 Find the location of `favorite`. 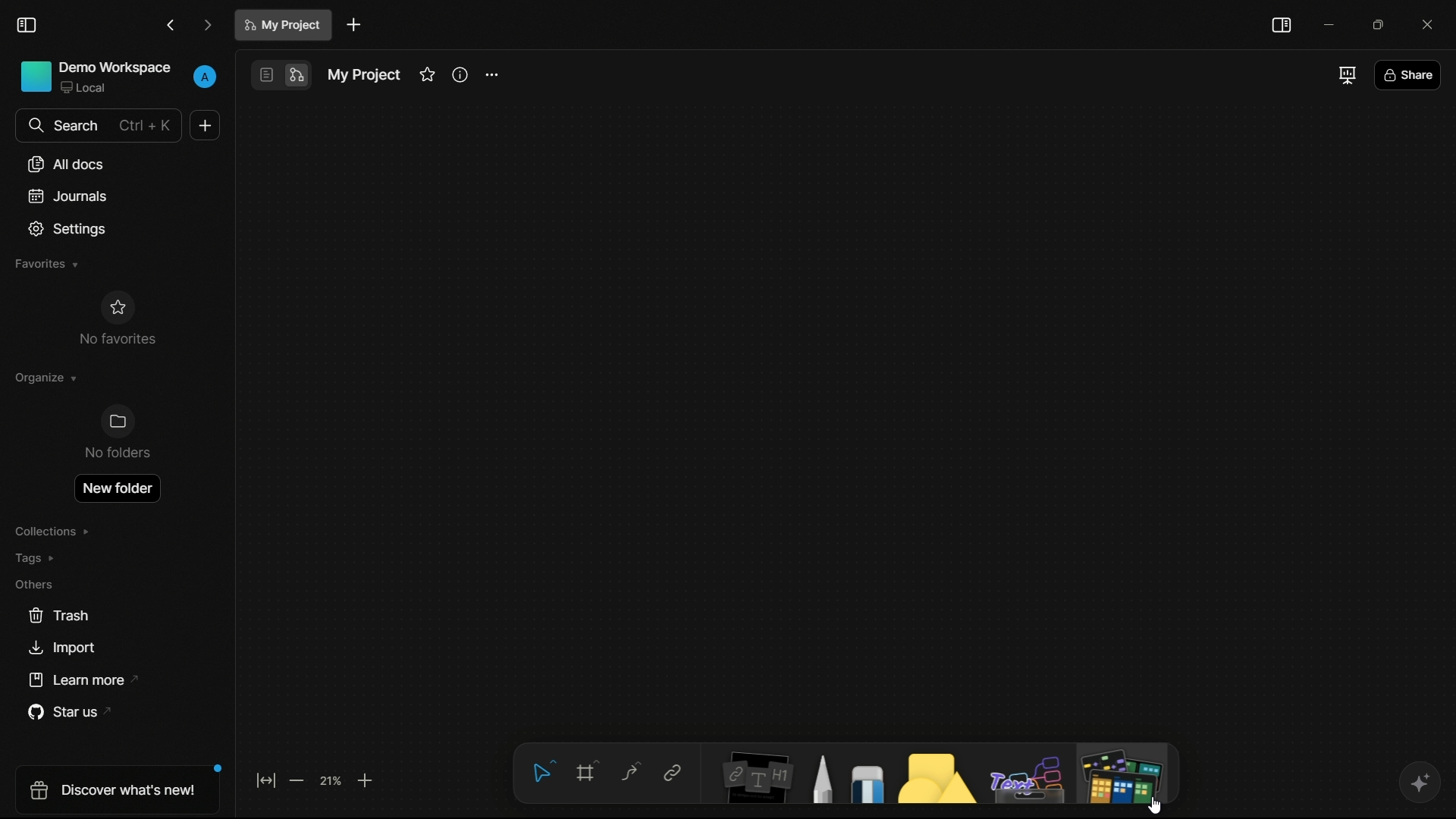

favorite is located at coordinates (426, 75).